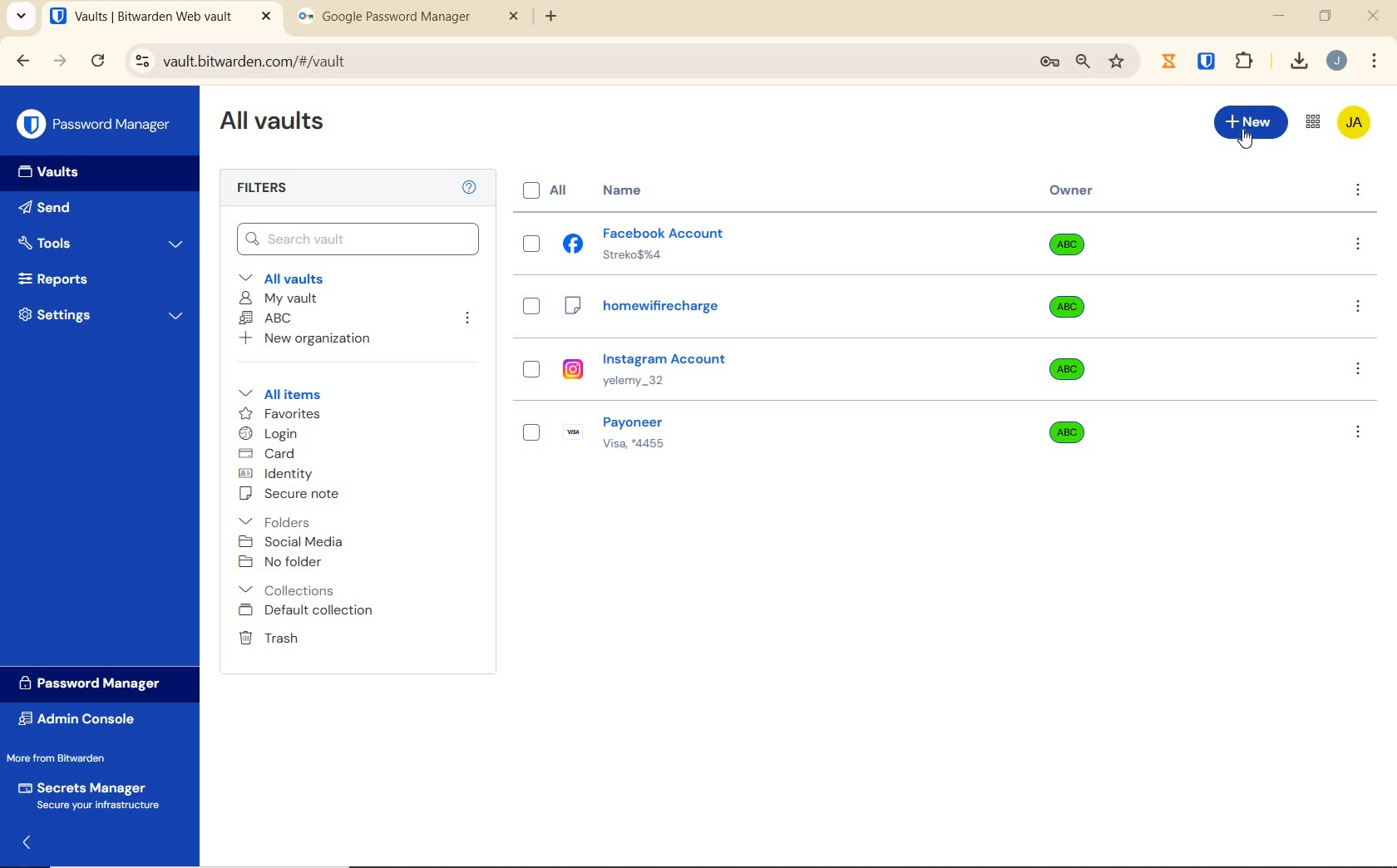 This screenshot has width=1397, height=868. Describe the element at coordinates (288, 277) in the screenshot. I see `All vaults` at that location.